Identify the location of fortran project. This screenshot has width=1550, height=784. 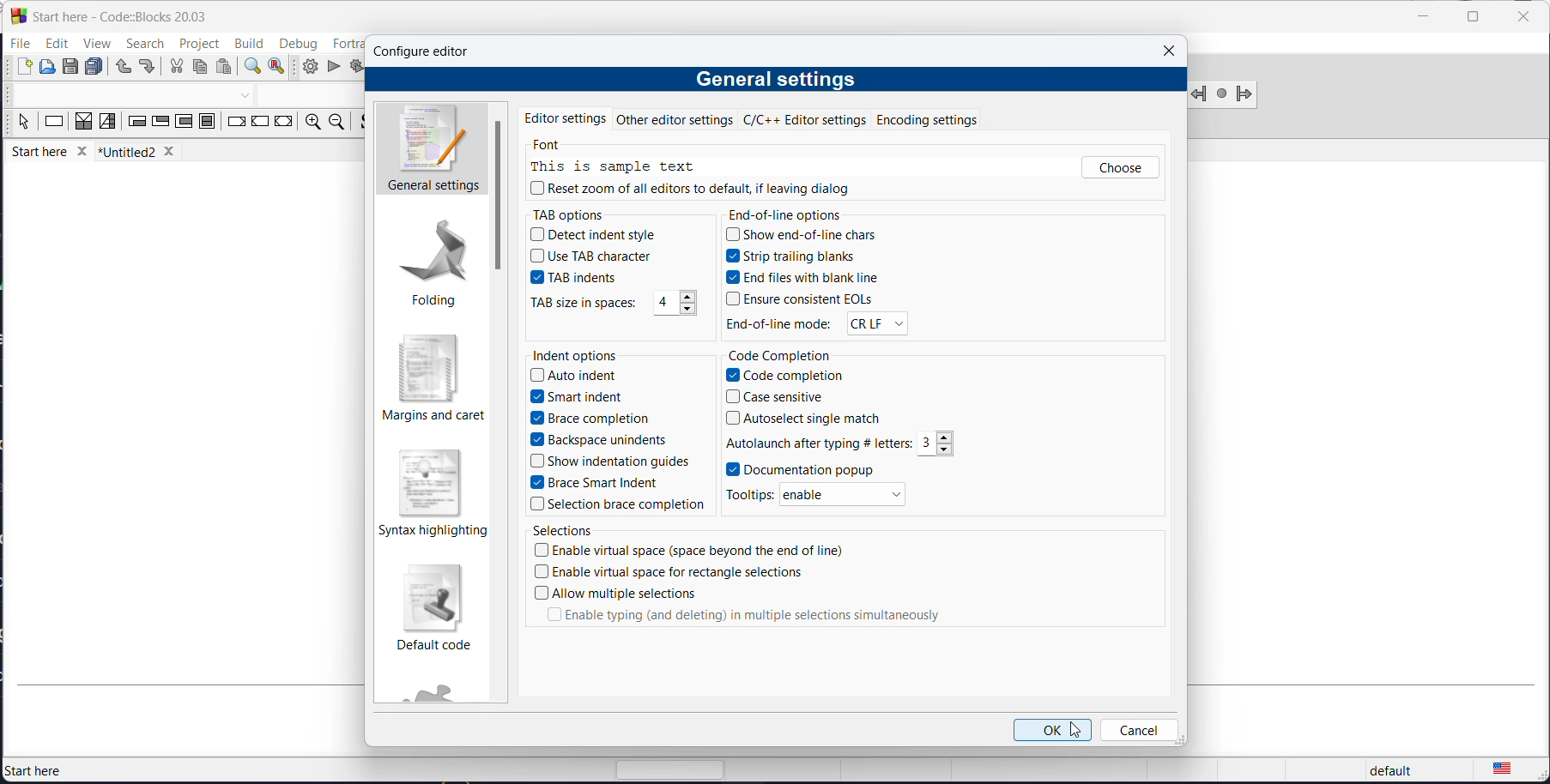
(439, 690).